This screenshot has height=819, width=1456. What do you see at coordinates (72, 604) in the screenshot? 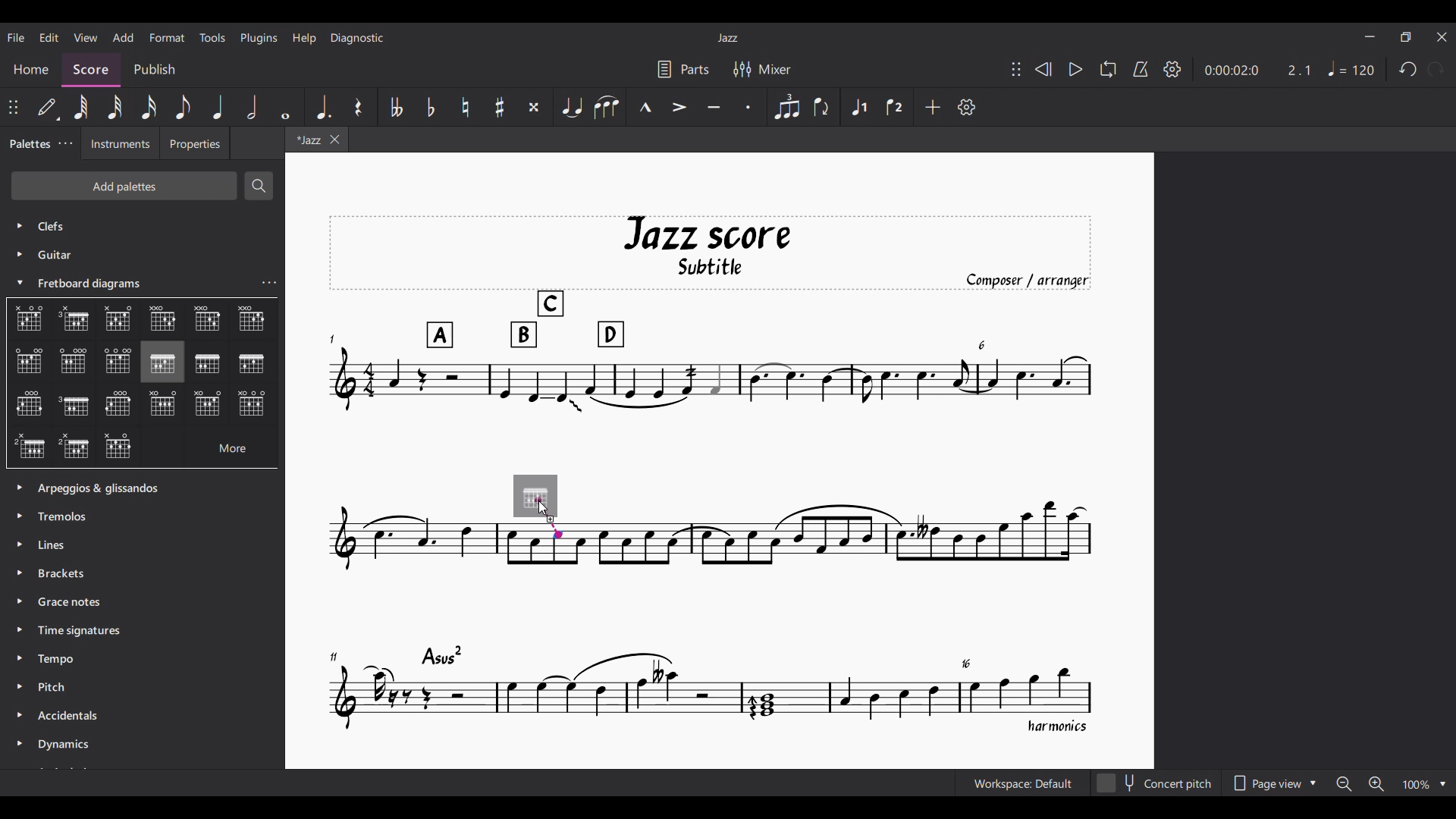
I see `Grace` at bounding box center [72, 604].